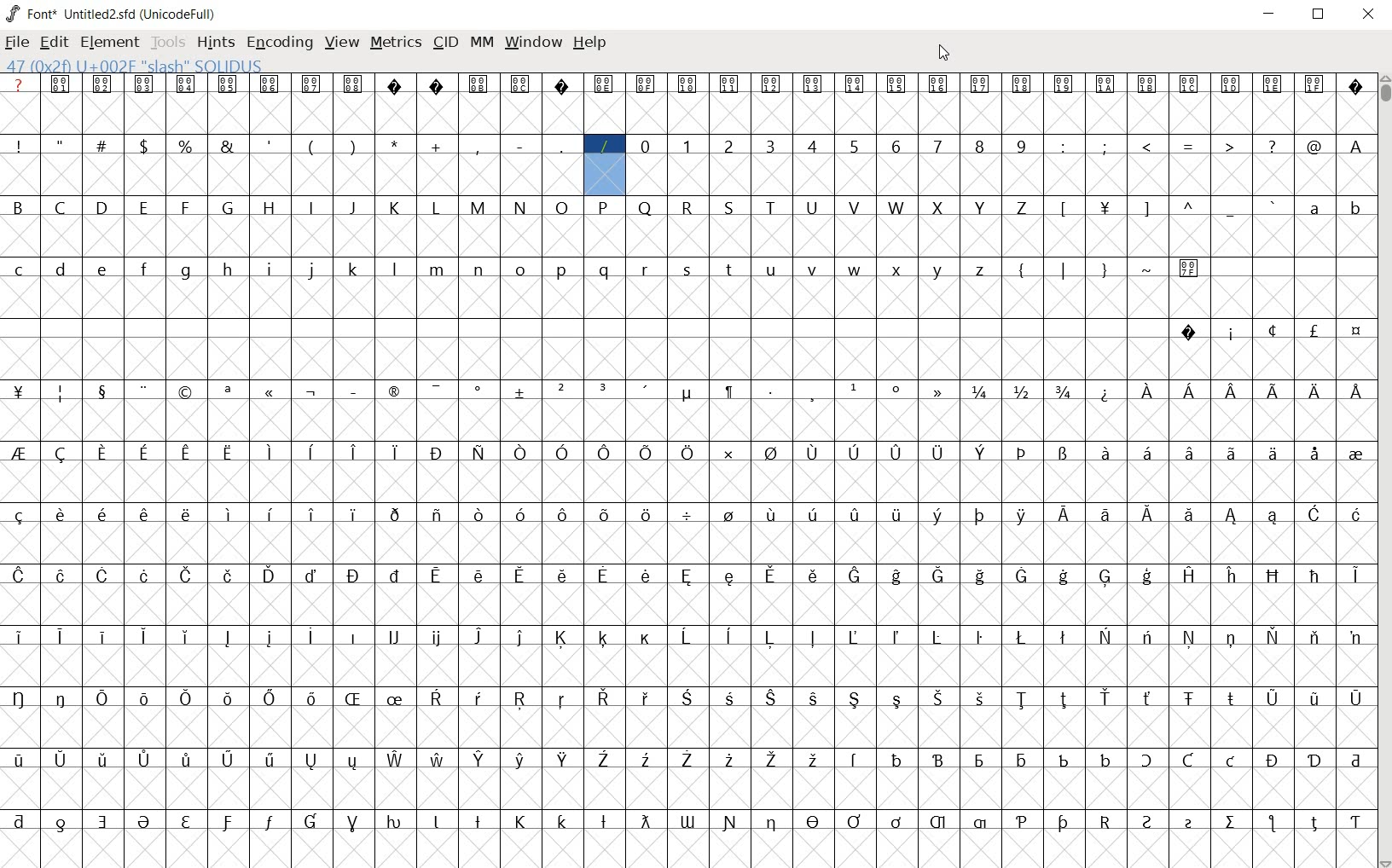 Image resolution: width=1392 pixels, height=868 pixels. Describe the element at coordinates (270, 698) in the screenshot. I see `glyph` at that location.